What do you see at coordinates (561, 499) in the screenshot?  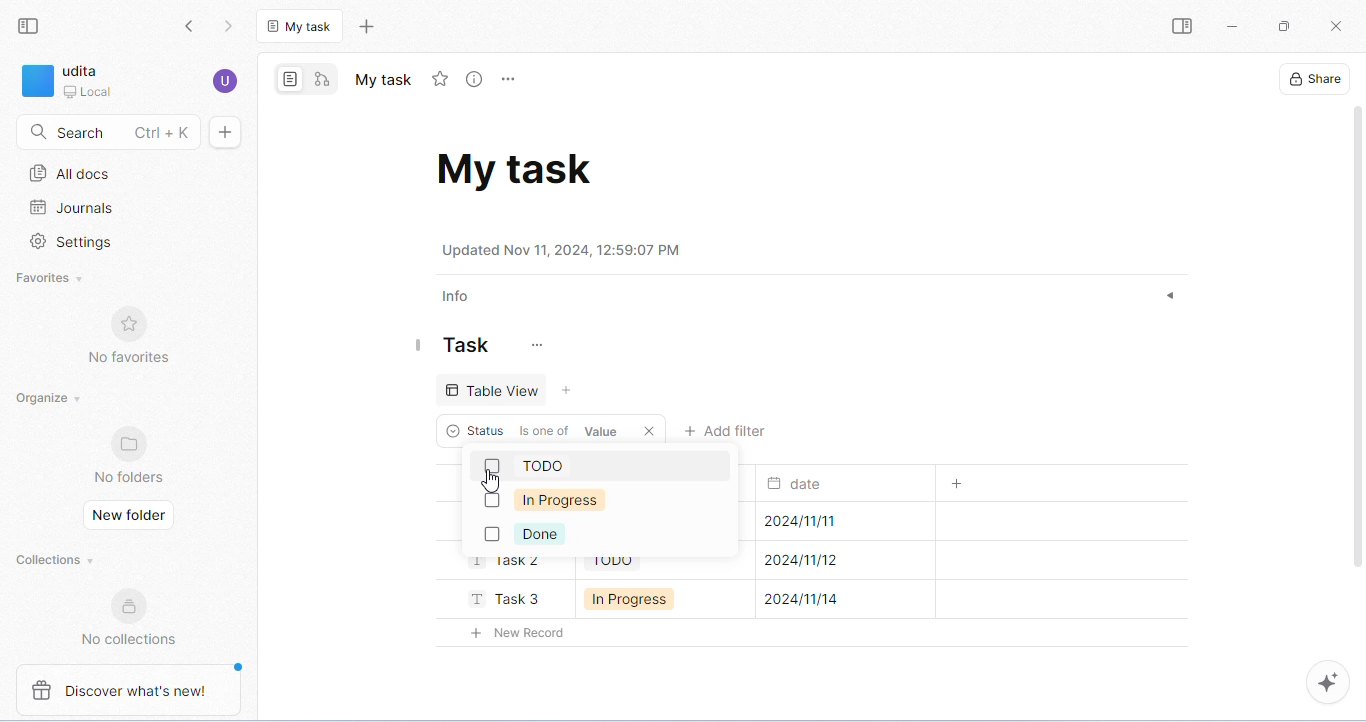 I see `in progress` at bounding box center [561, 499].